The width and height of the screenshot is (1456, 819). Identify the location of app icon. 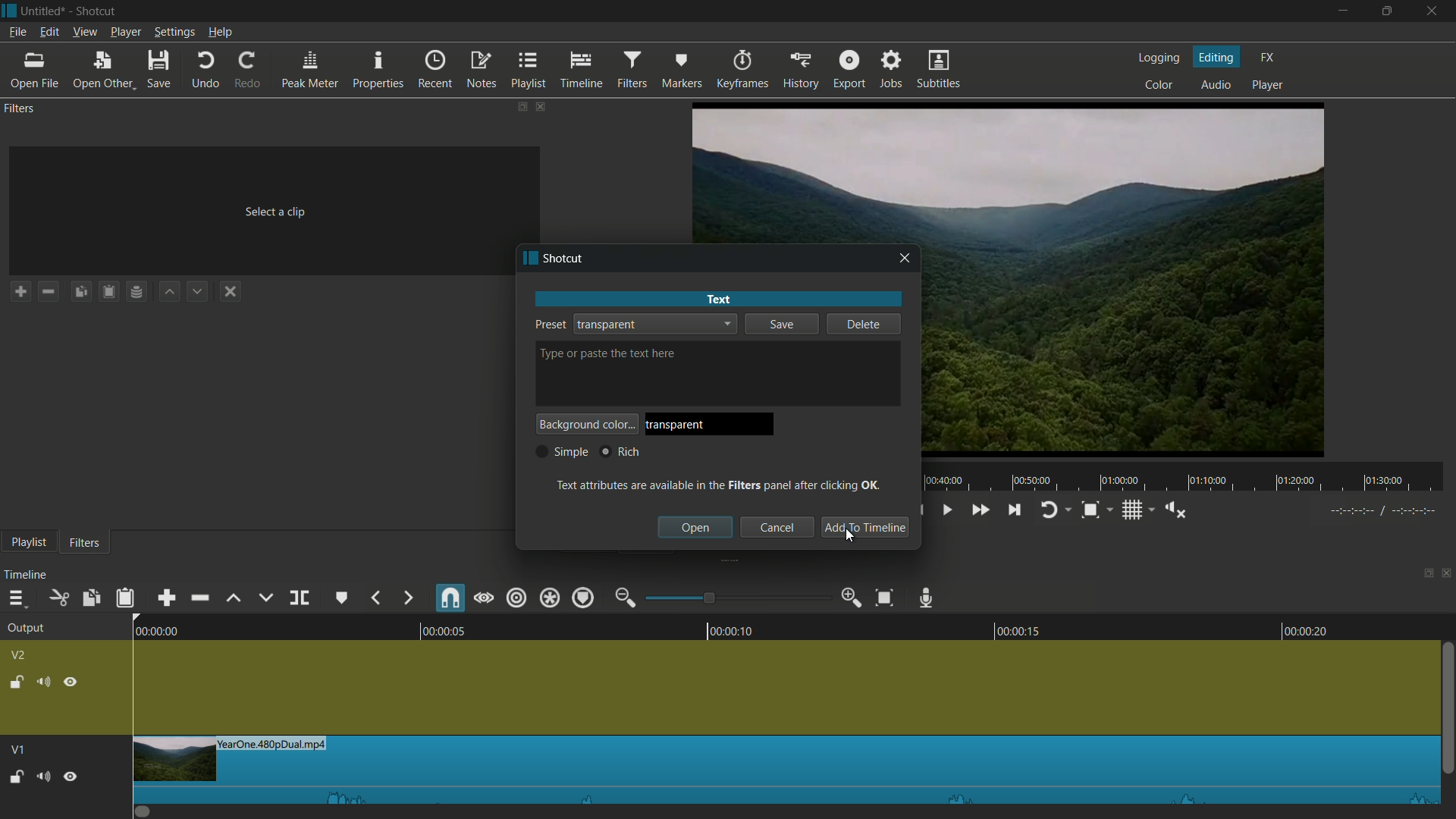
(9, 10).